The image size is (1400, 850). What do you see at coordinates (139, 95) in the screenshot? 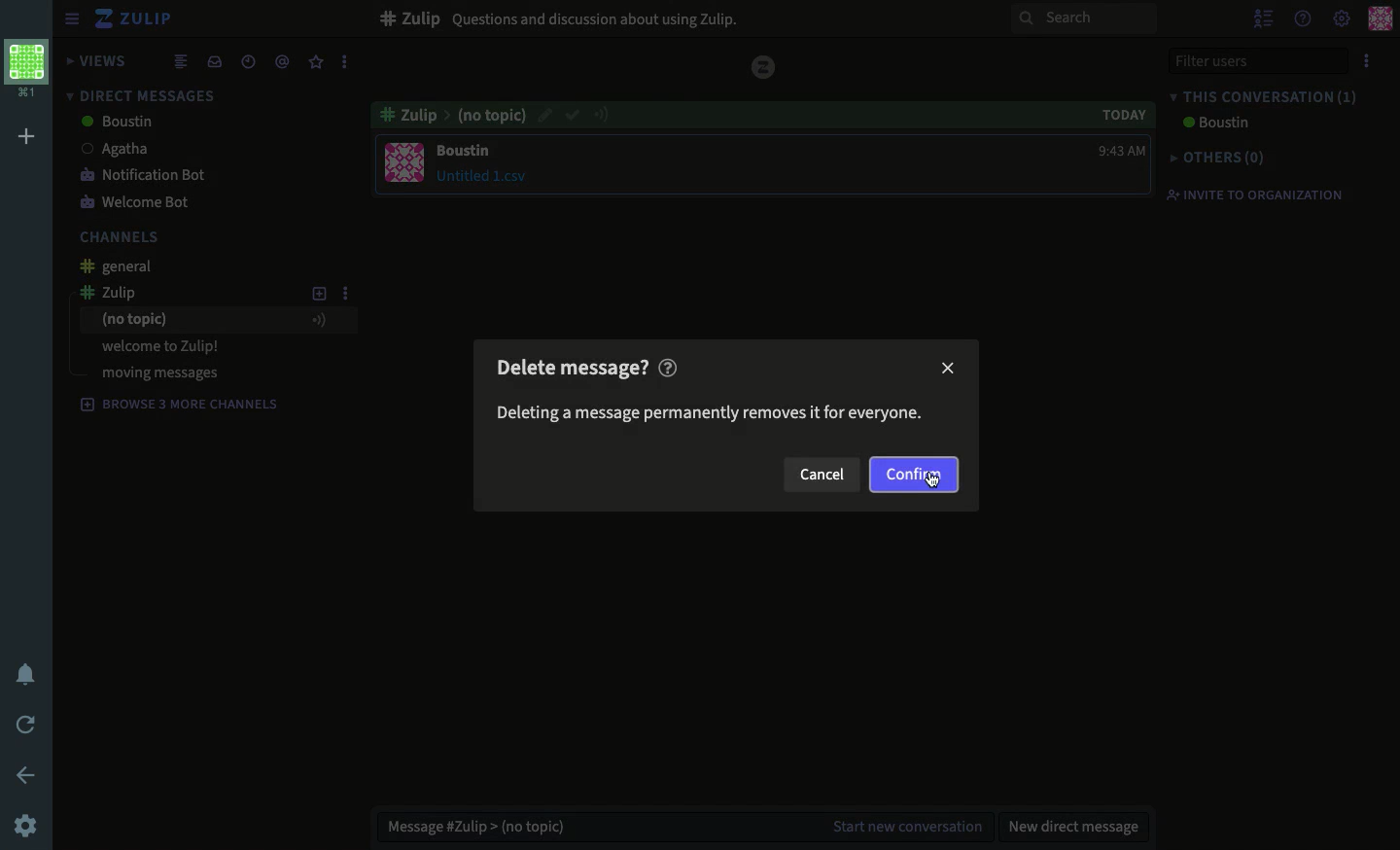
I see `direct messages` at bounding box center [139, 95].